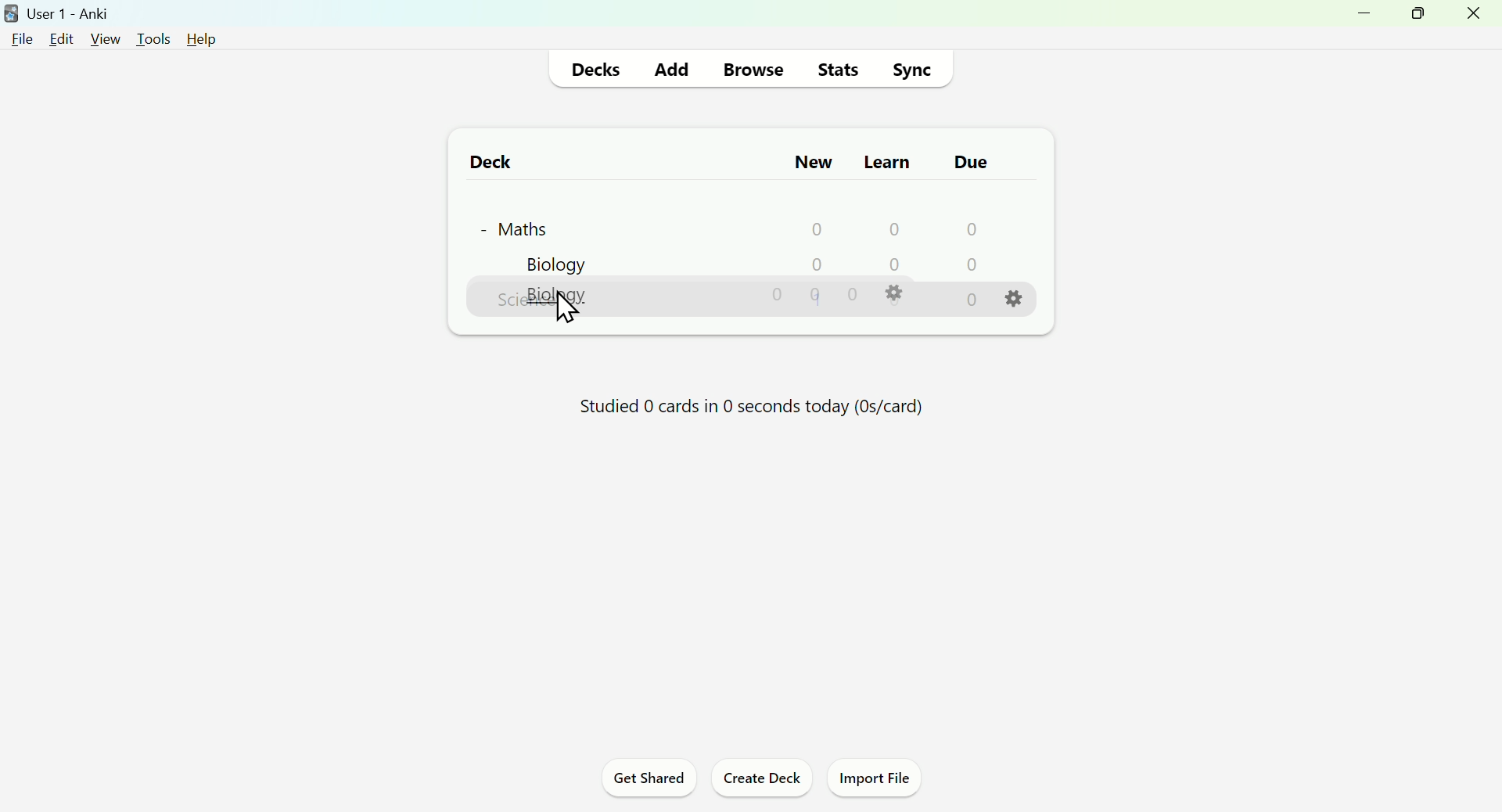 Image resolution: width=1502 pixels, height=812 pixels. I want to click on minimize, so click(1367, 16).